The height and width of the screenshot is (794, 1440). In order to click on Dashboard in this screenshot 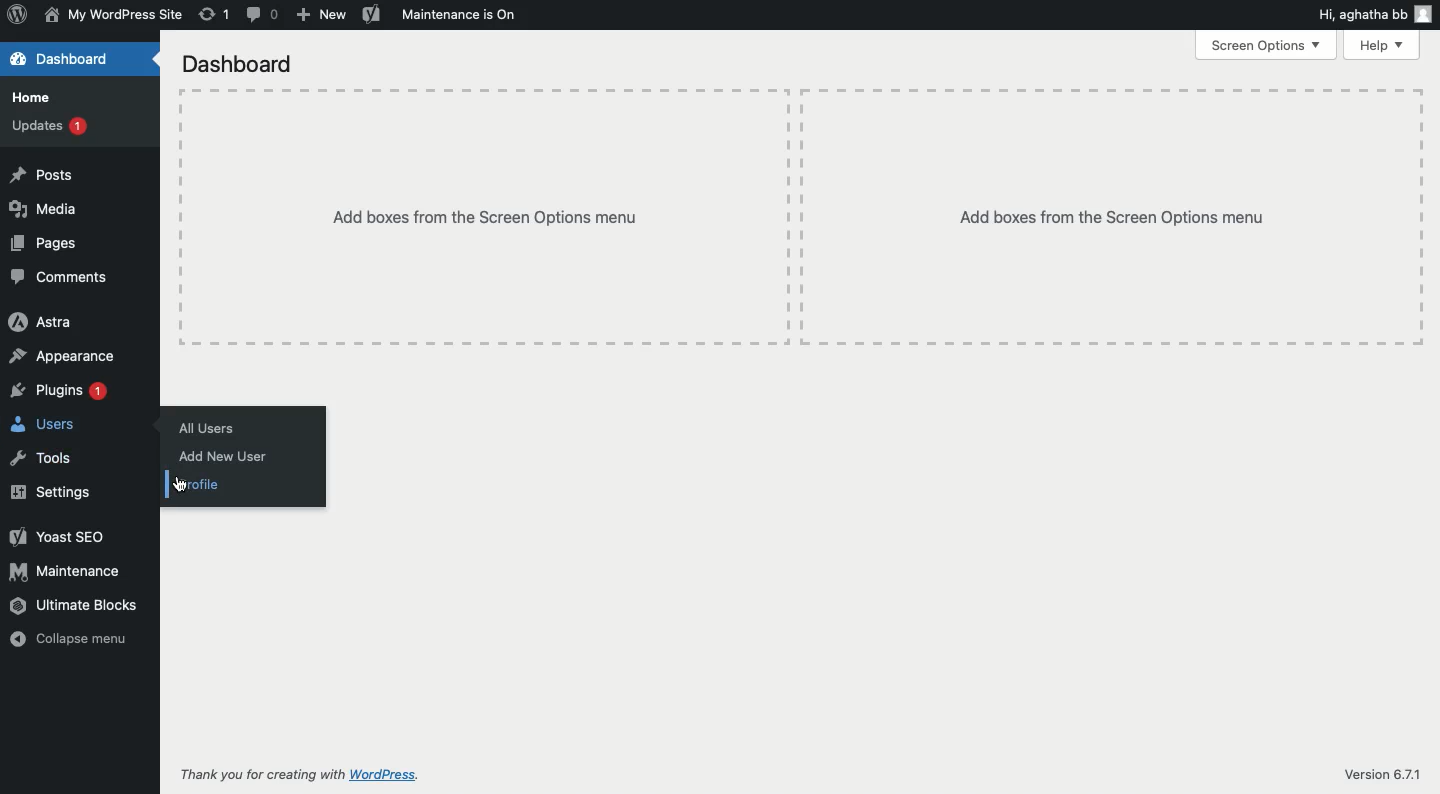, I will do `click(60, 59)`.